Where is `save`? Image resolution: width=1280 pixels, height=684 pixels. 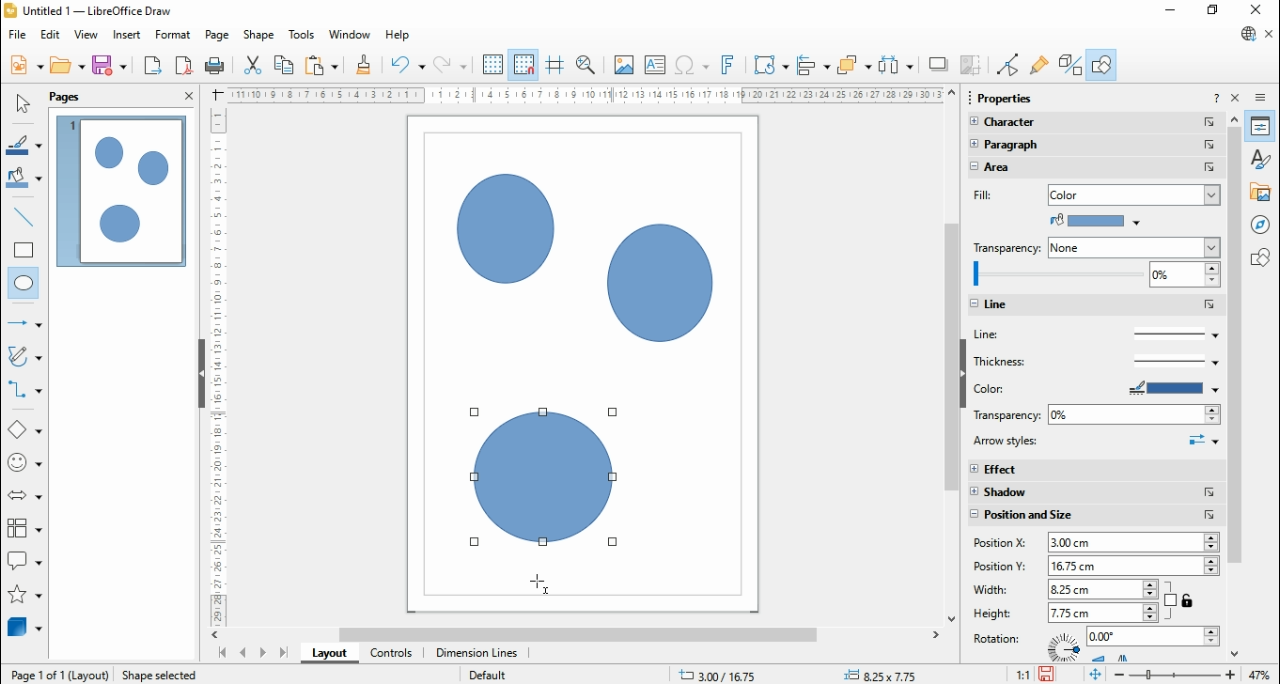 save is located at coordinates (109, 65).